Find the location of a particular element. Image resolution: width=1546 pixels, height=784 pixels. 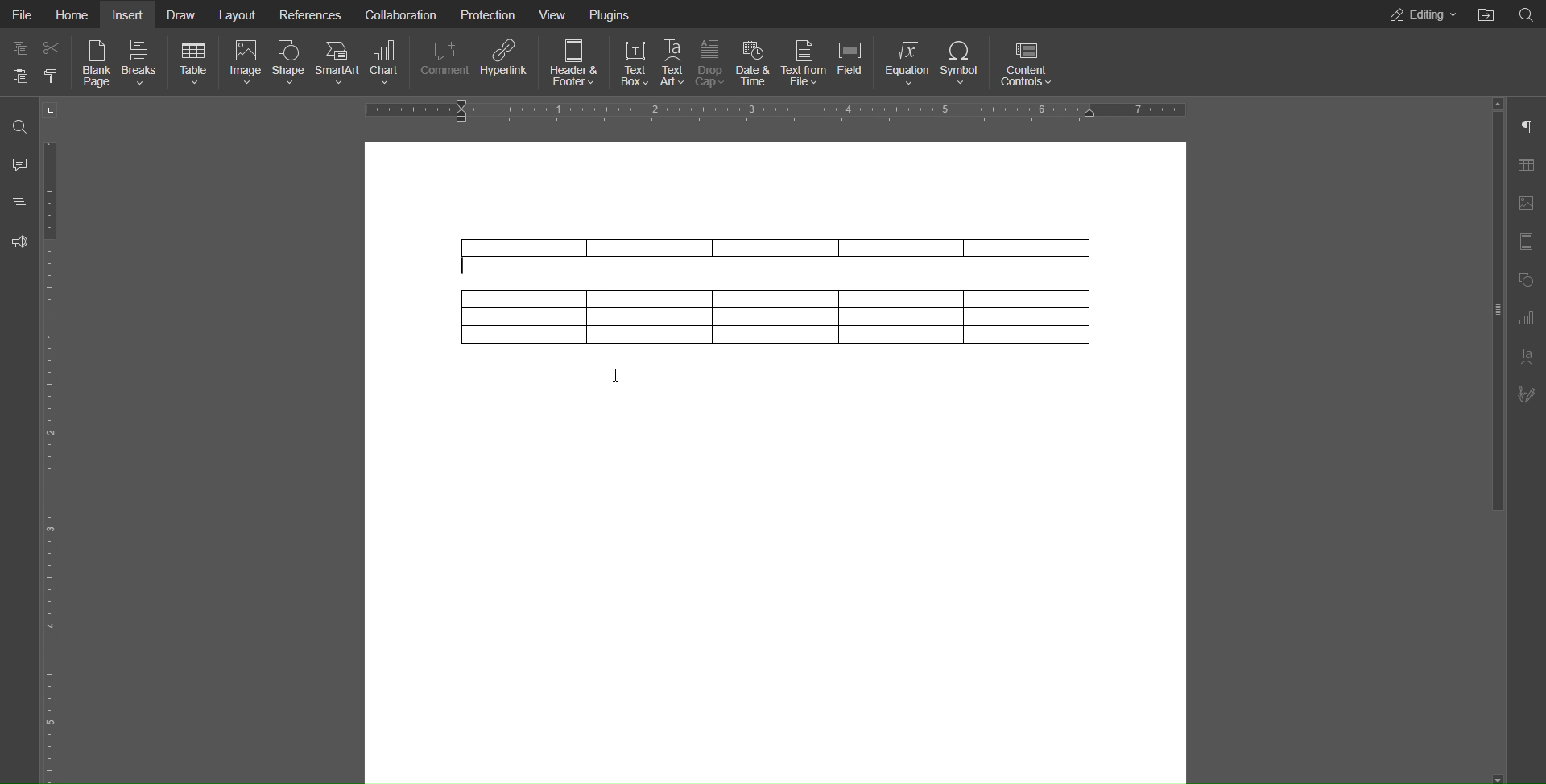

Comment is located at coordinates (14, 161).